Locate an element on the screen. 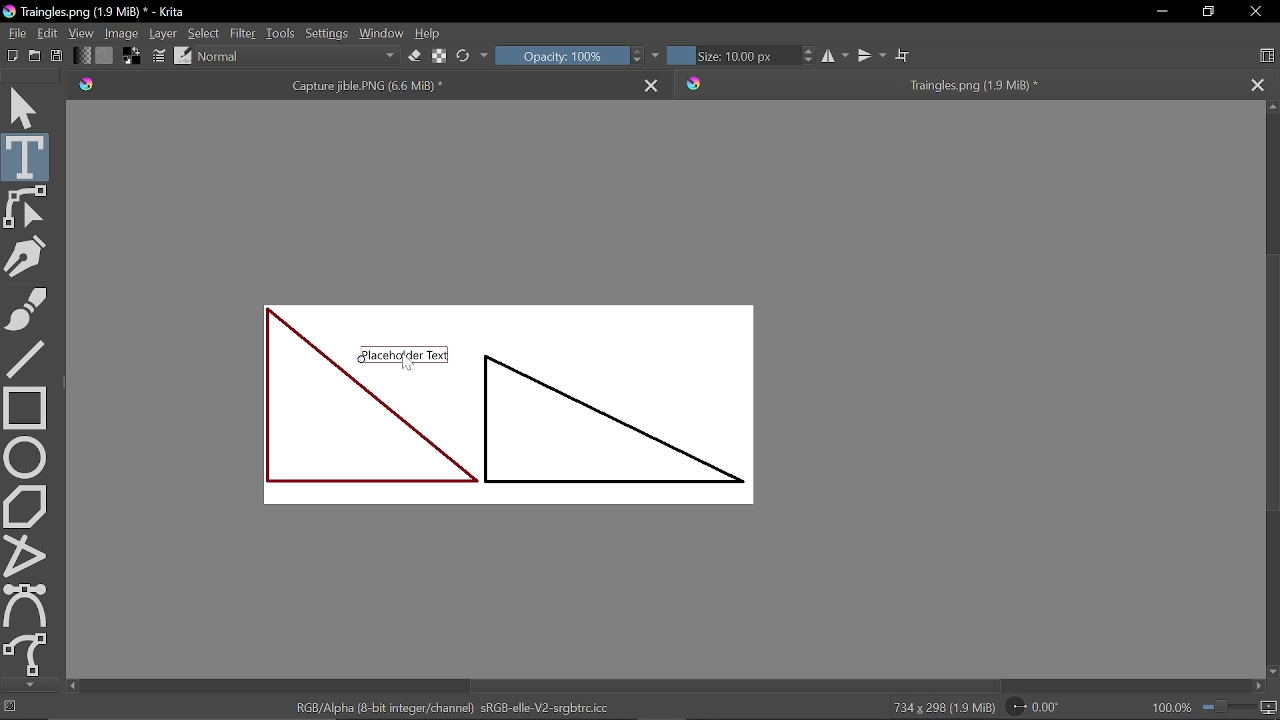 The image size is (1280, 720). Move down tools is located at coordinates (28, 684).